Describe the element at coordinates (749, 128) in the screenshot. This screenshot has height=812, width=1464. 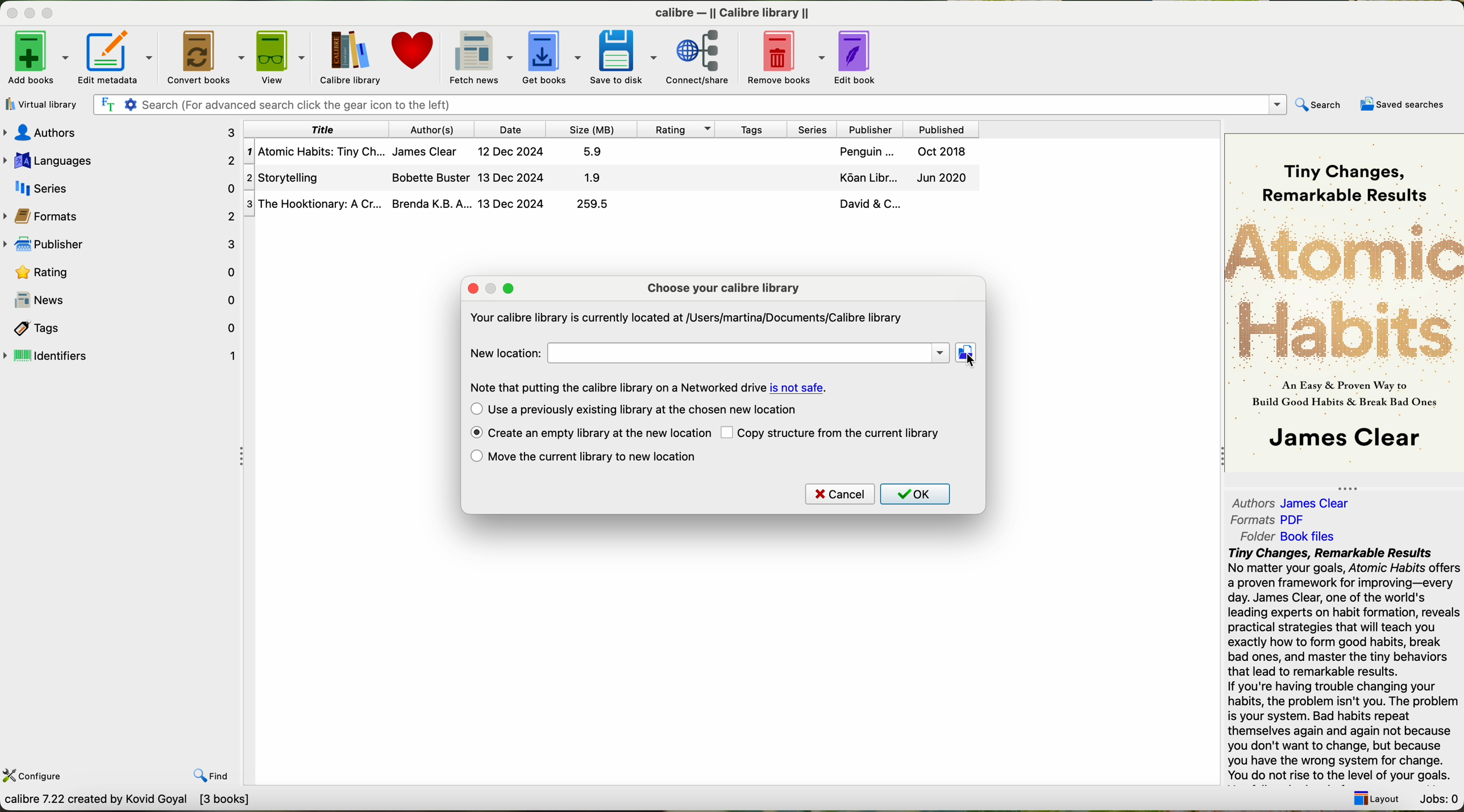
I see `tags` at that location.